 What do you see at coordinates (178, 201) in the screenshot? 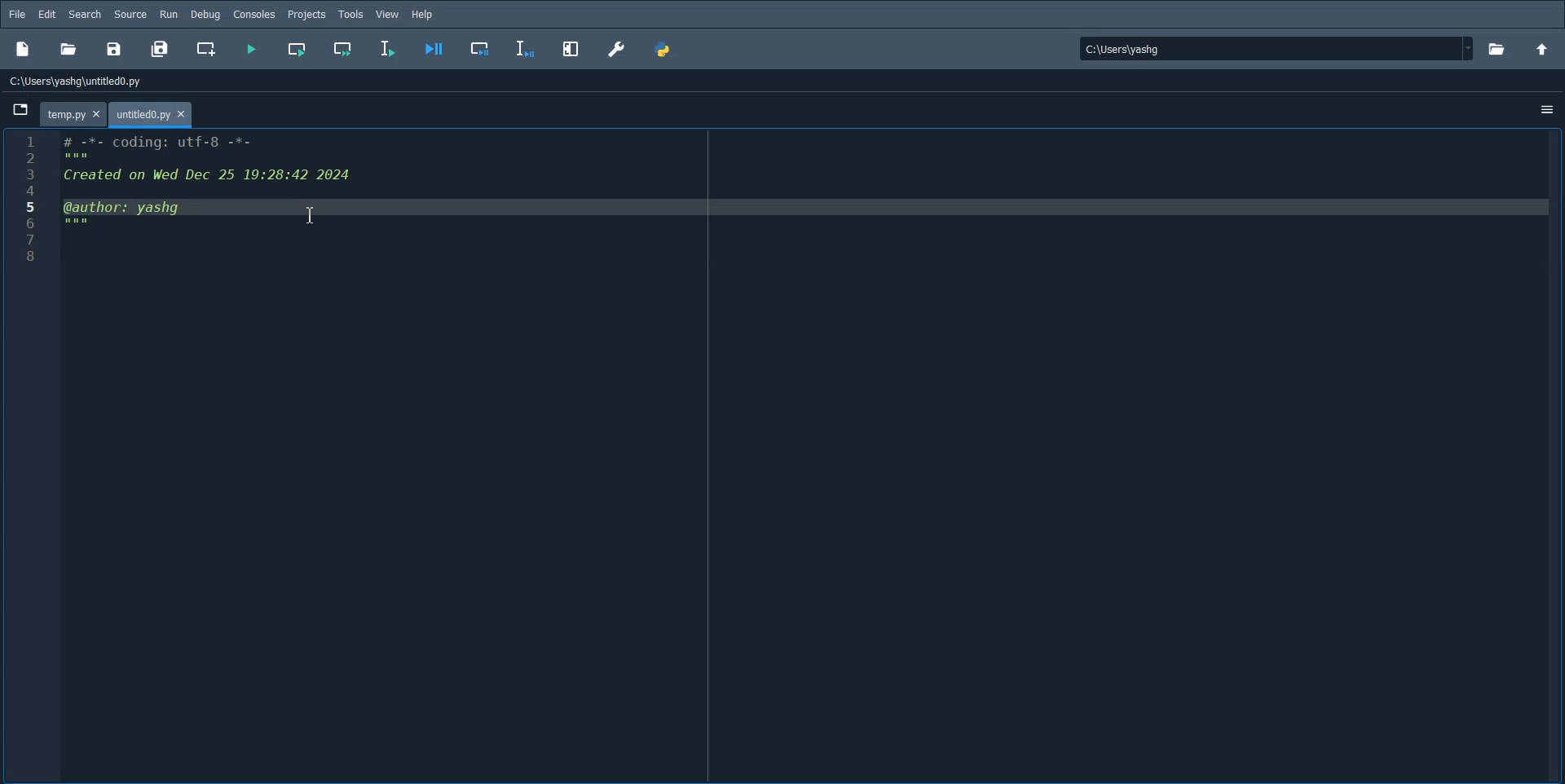
I see `1 # -%- coding: utt-8 -*-

PRT

3 Created on Wed Dec 25 19:28:42 2024

4

5  @author: yashg 1

6 mw

7

8` at bounding box center [178, 201].